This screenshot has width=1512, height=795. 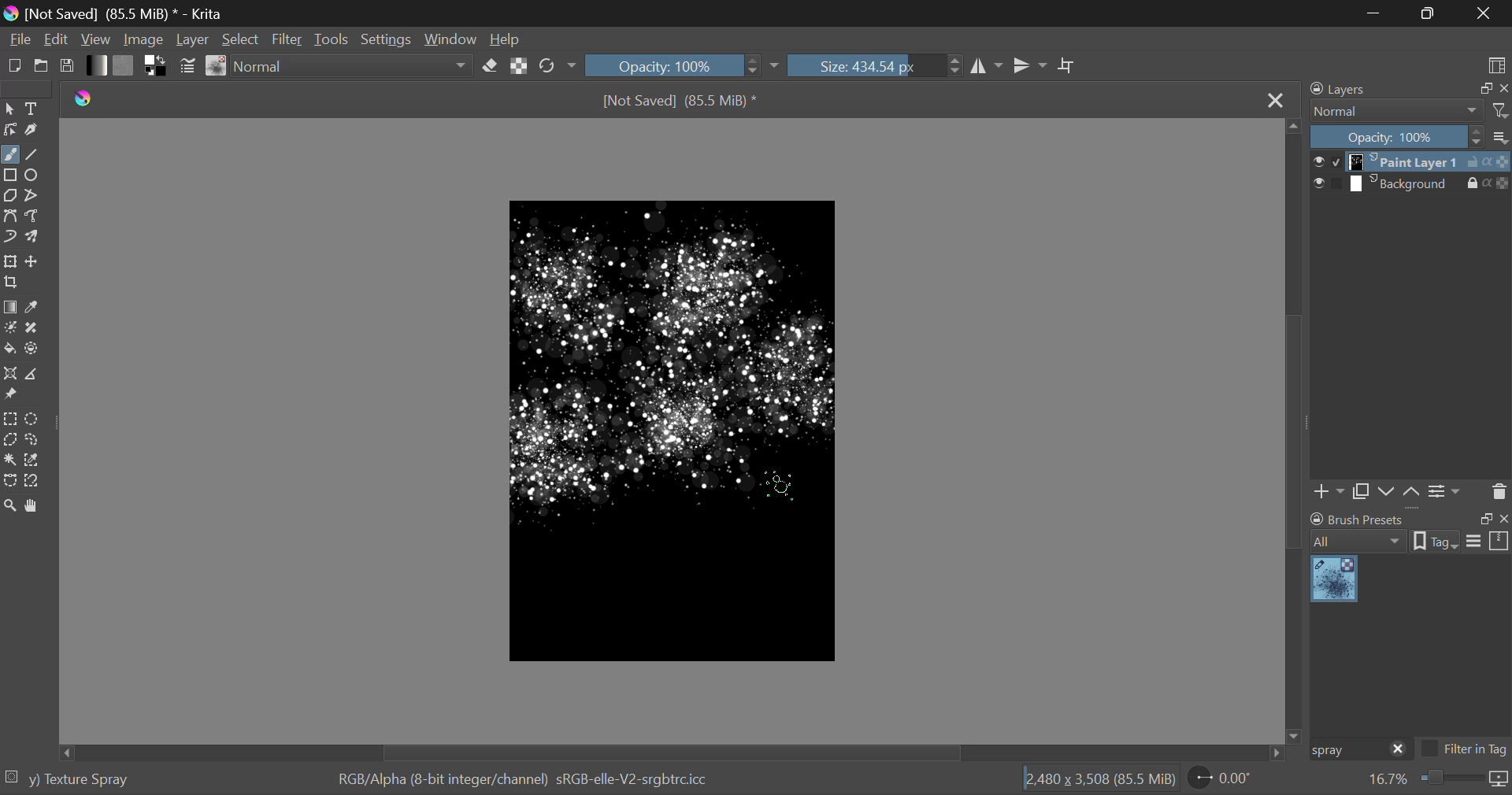 I want to click on Edit, so click(x=57, y=39).